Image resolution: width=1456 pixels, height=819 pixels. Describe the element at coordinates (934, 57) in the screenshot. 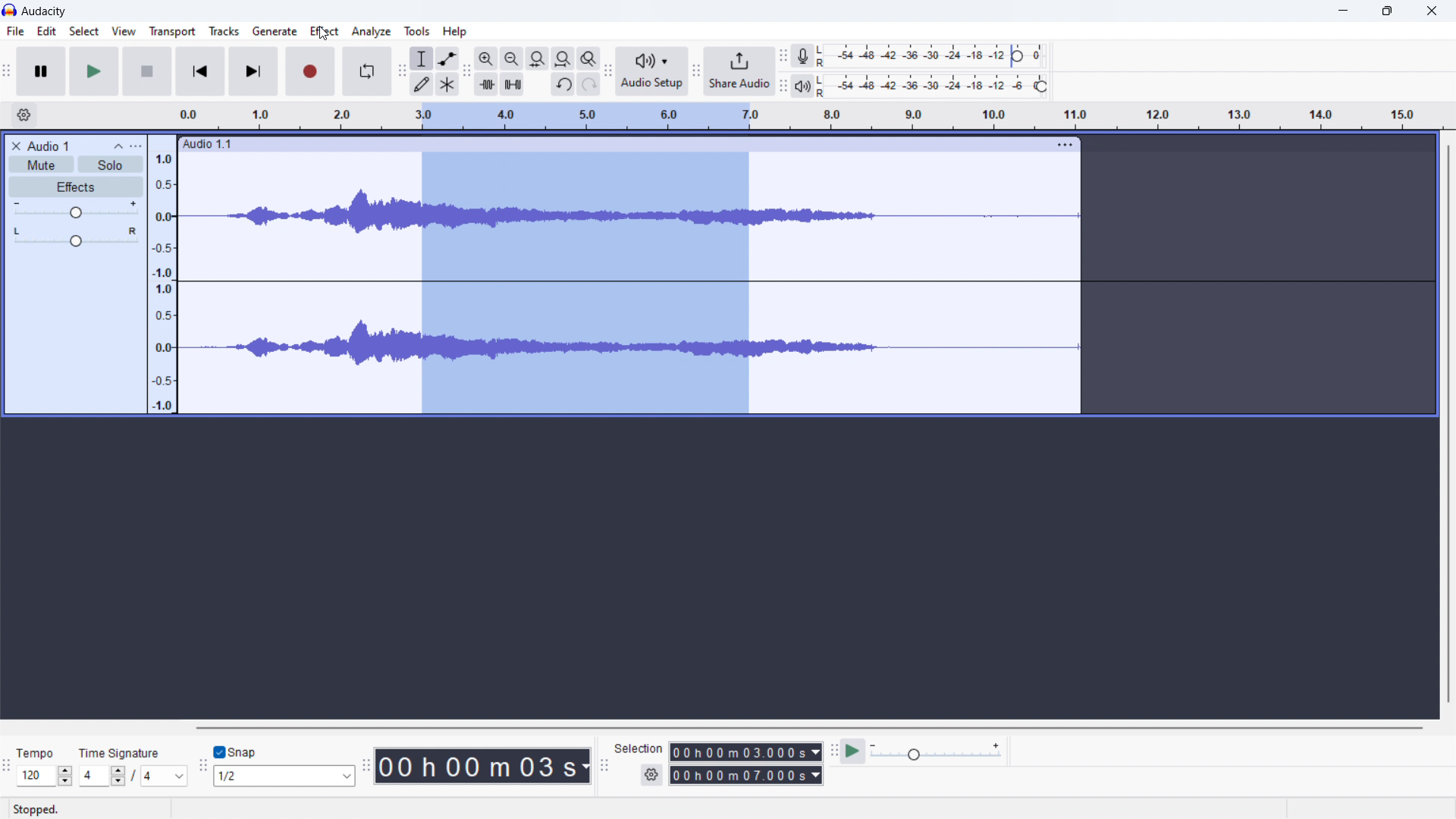

I see `recording level` at that location.